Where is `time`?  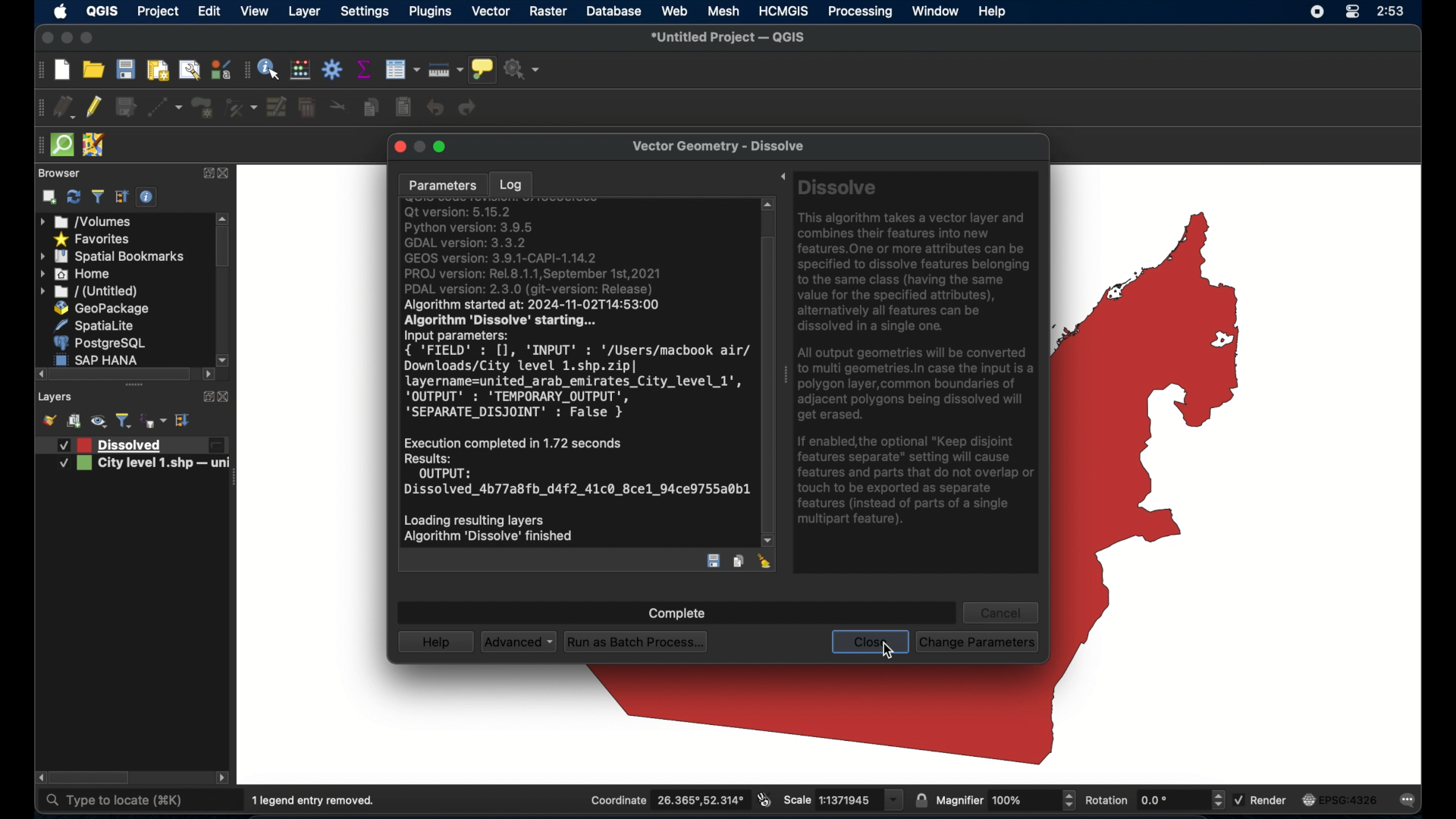
time is located at coordinates (1392, 12).